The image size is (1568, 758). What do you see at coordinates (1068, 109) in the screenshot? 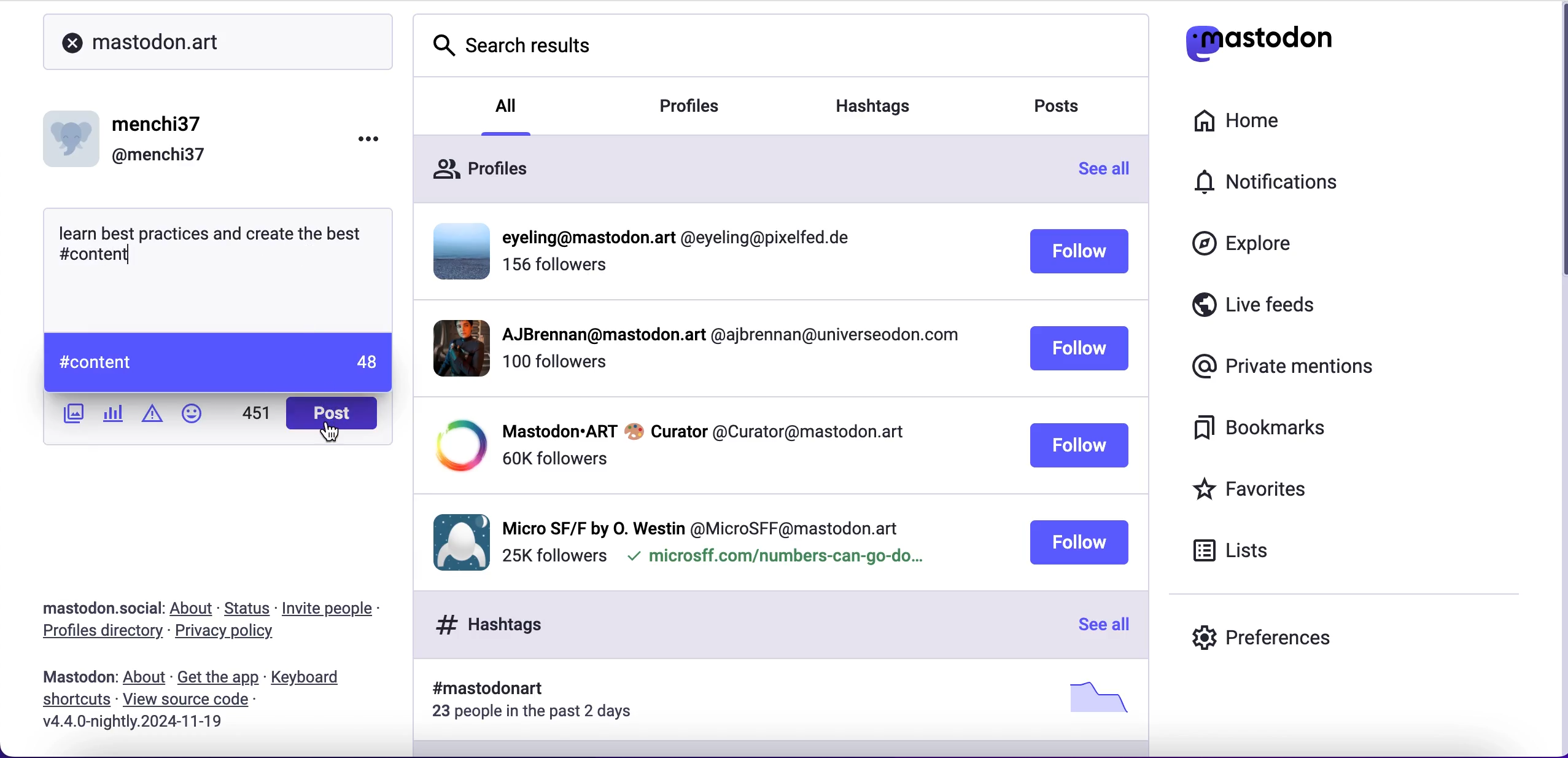
I see `posts` at bounding box center [1068, 109].